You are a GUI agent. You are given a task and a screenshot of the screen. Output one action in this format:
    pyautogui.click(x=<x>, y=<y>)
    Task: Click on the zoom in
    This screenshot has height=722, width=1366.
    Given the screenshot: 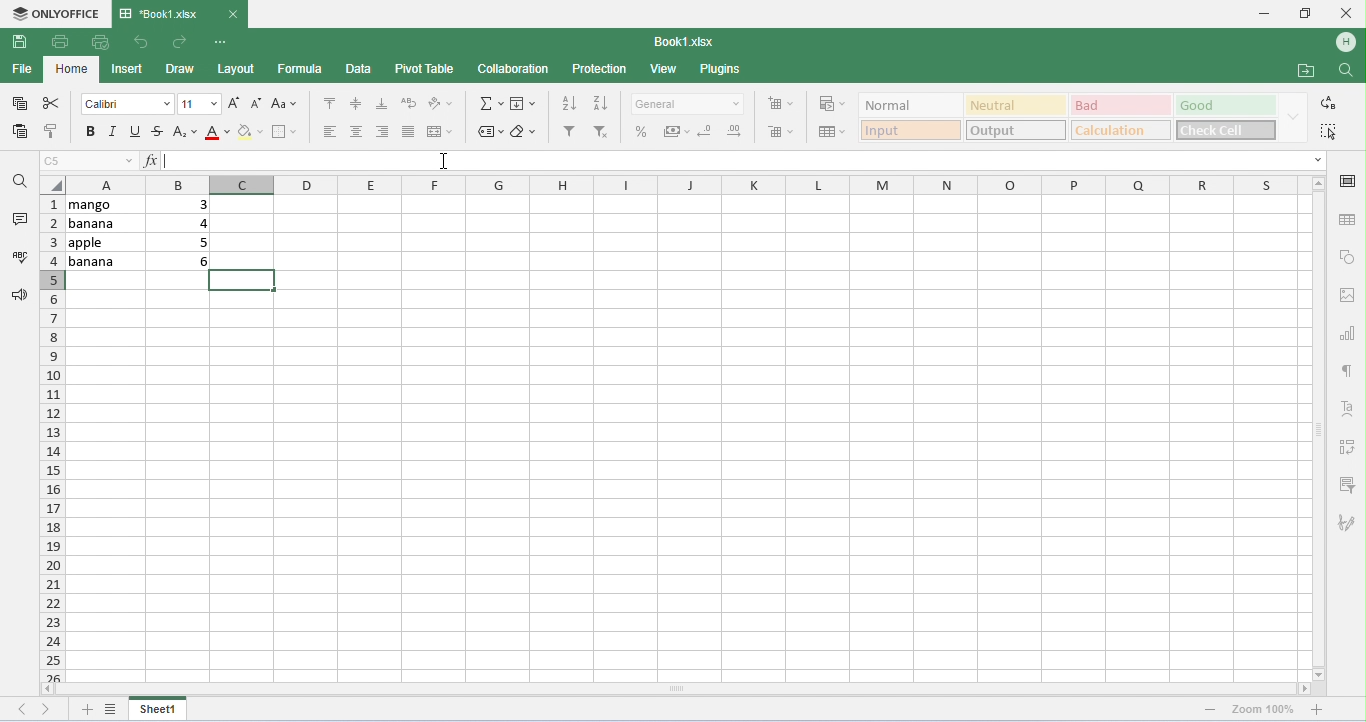 What is the action you would take?
    pyautogui.click(x=1212, y=710)
    